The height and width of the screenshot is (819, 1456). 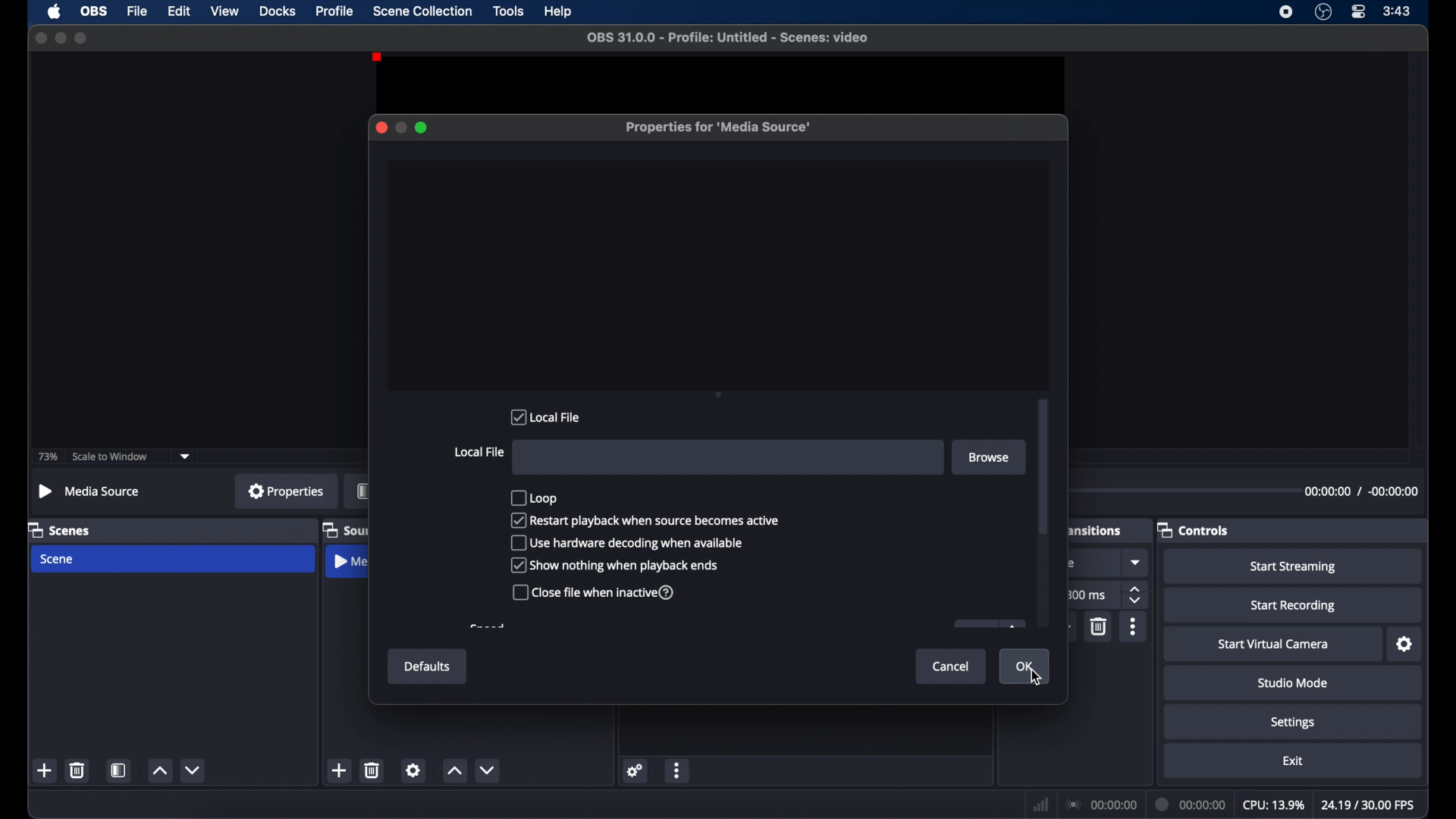 I want to click on use hardware decoding when available, so click(x=625, y=543).